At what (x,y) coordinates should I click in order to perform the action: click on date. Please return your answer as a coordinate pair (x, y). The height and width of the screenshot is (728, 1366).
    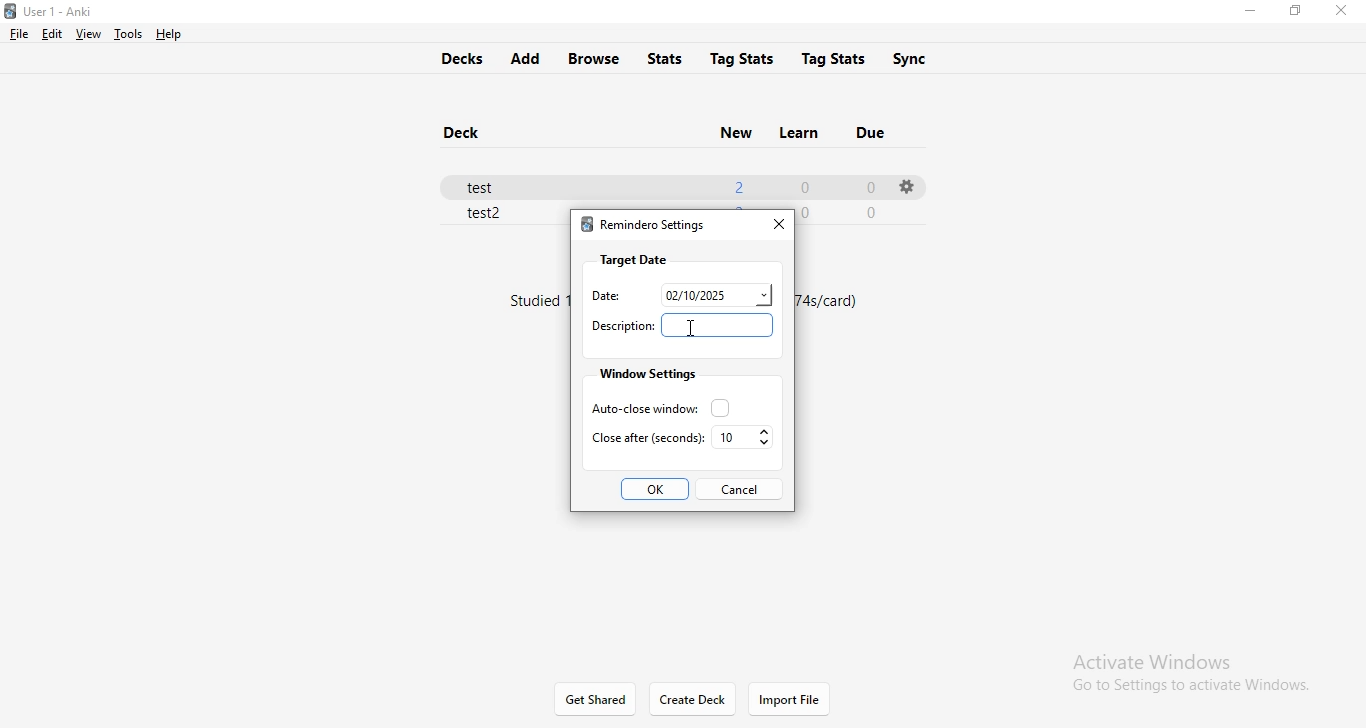
    Looking at the image, I should click on (716, 293).